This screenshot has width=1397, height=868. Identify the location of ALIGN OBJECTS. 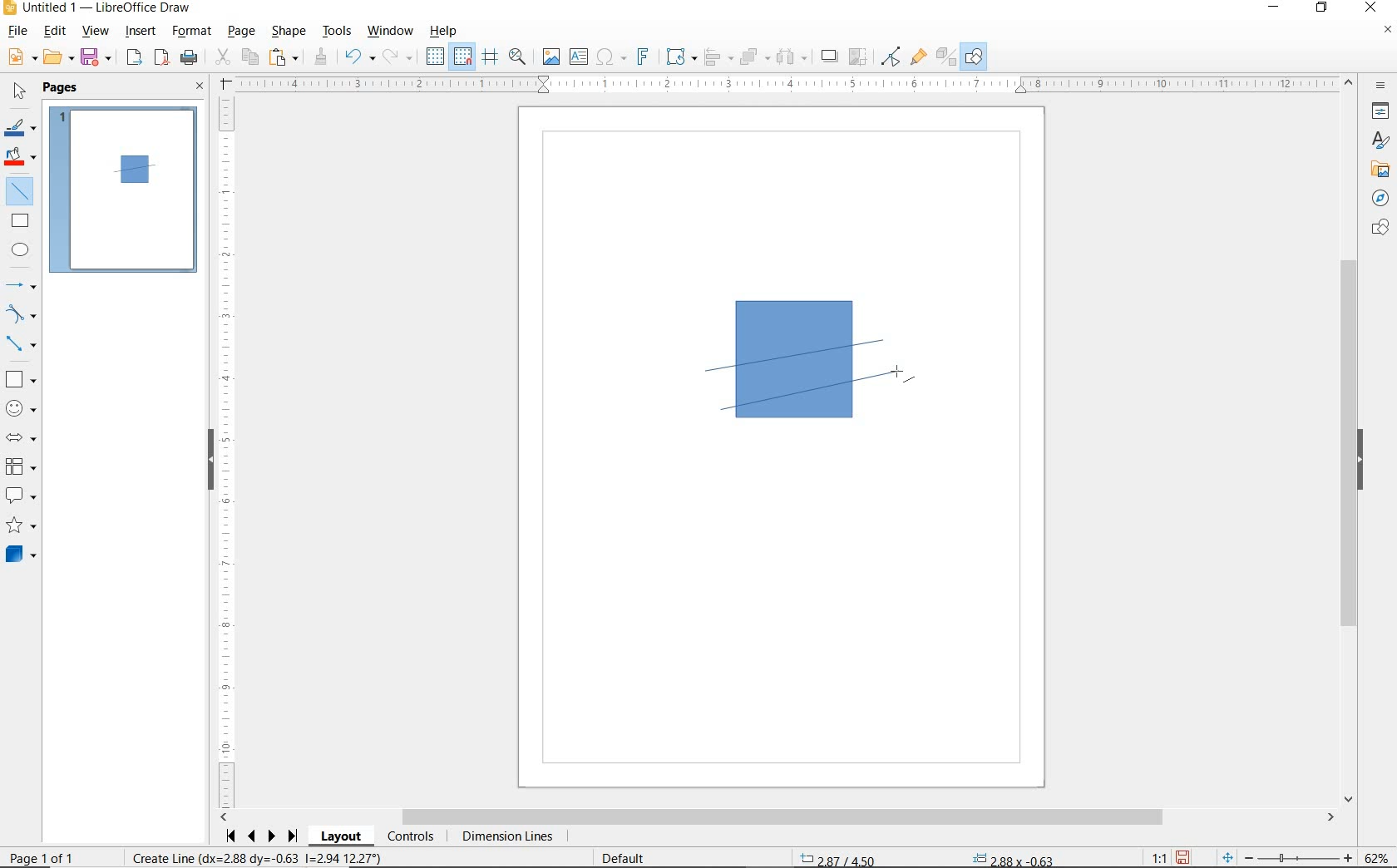
(718, 57).